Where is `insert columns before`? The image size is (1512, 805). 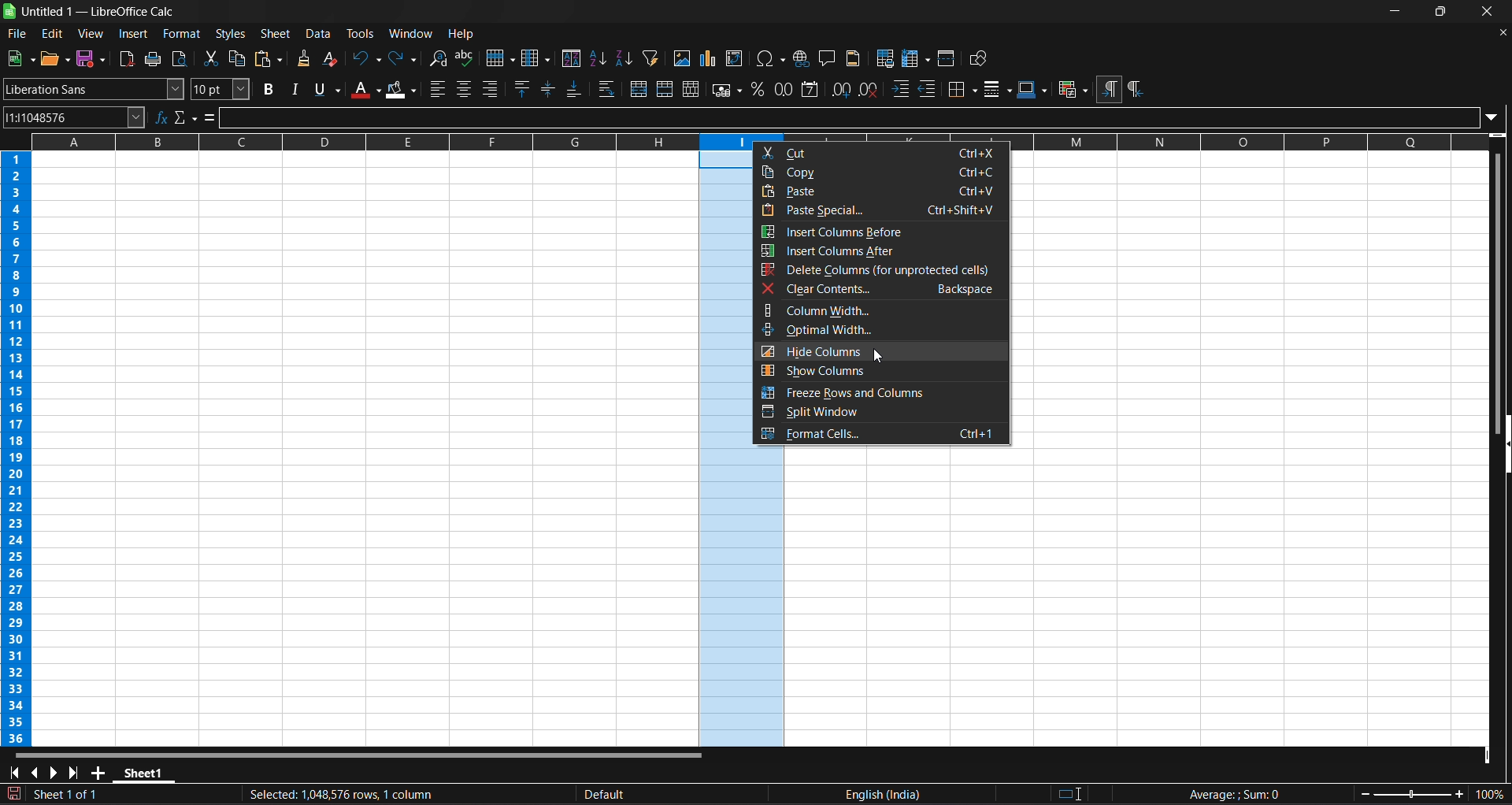
insert columns before is located at coordinates (881, 232).